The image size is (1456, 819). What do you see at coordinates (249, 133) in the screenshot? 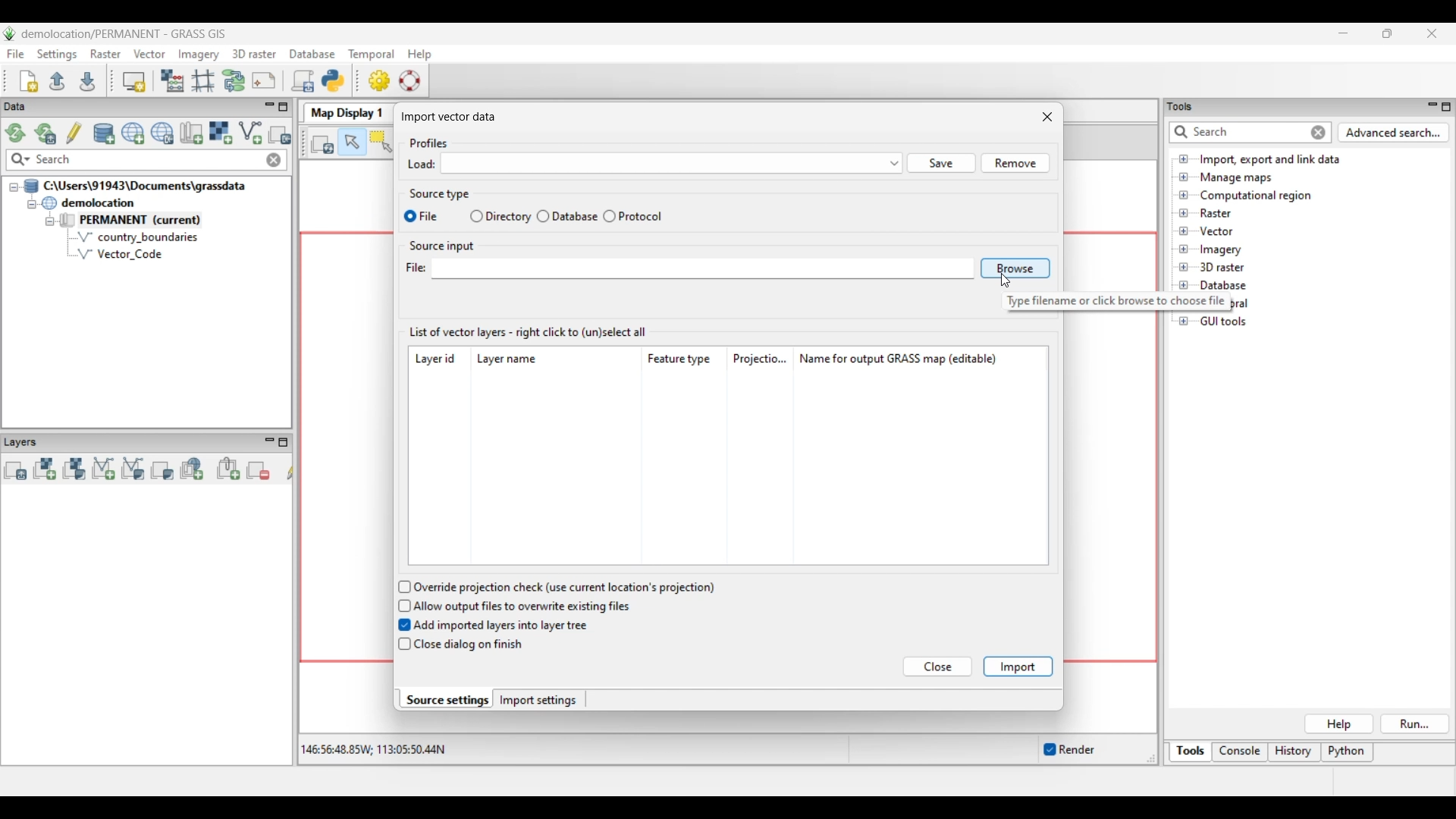
I see `Import vector data, current selection` at bounding box center [249, 133].